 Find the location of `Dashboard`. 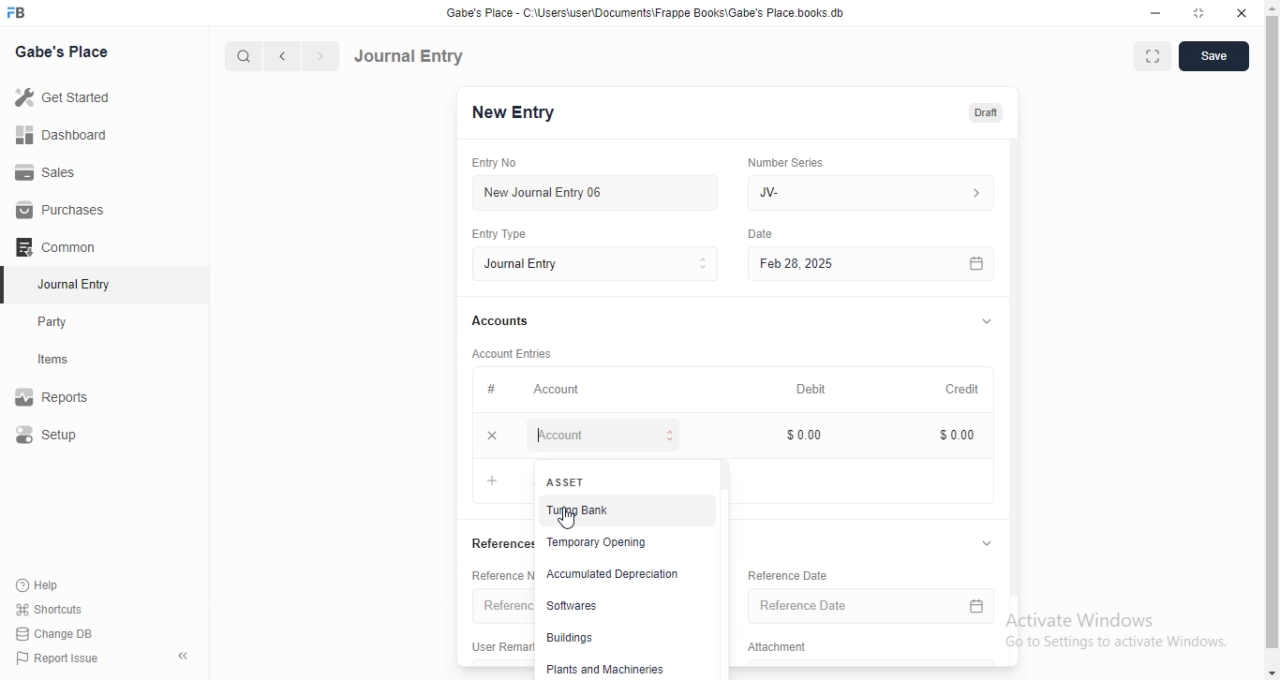

Dashboard is located at coordinates (66, 134).